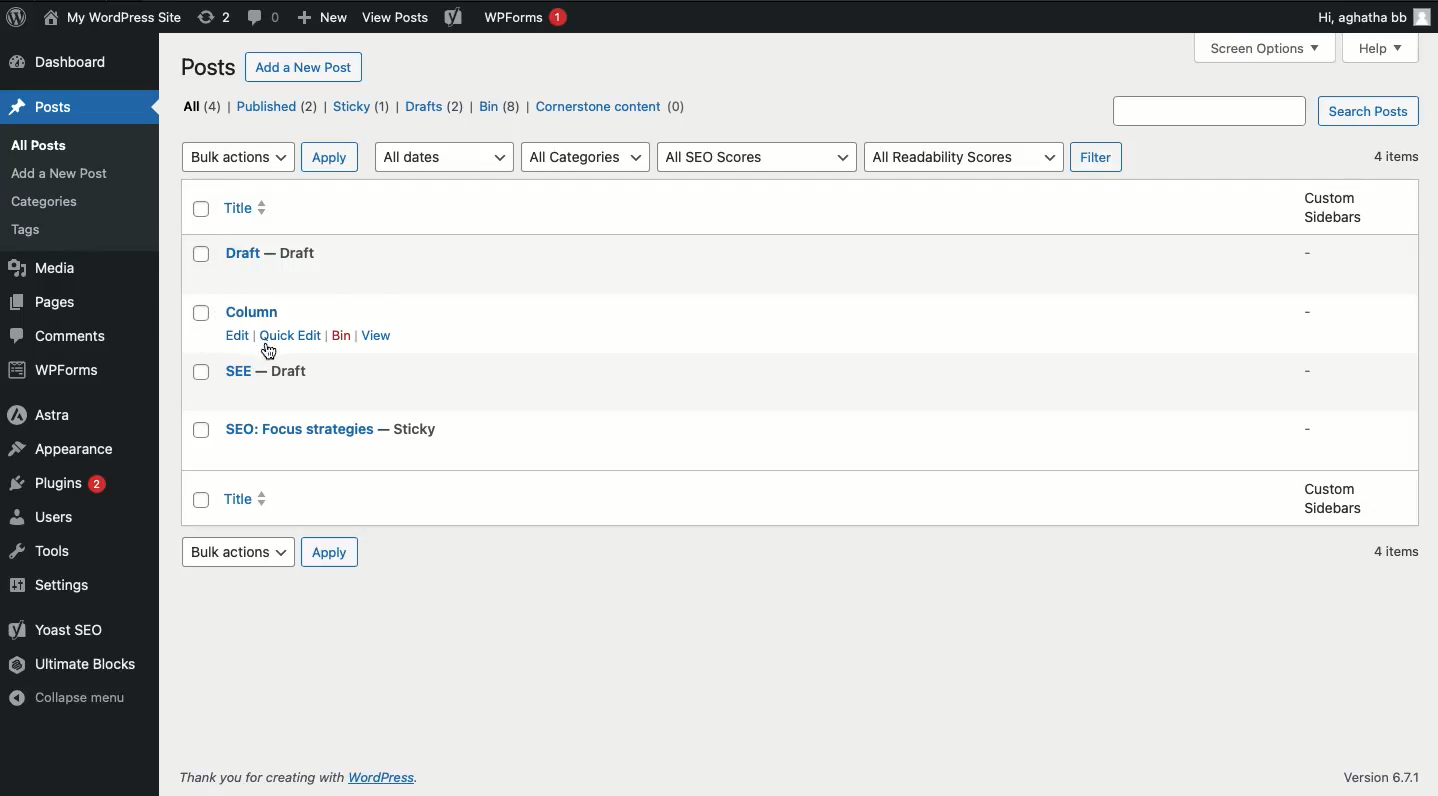 This screenshot has width=1438, height=796. Describe the element at coordinates (1380, 49) in the screenshot. I see `Help` at that location.